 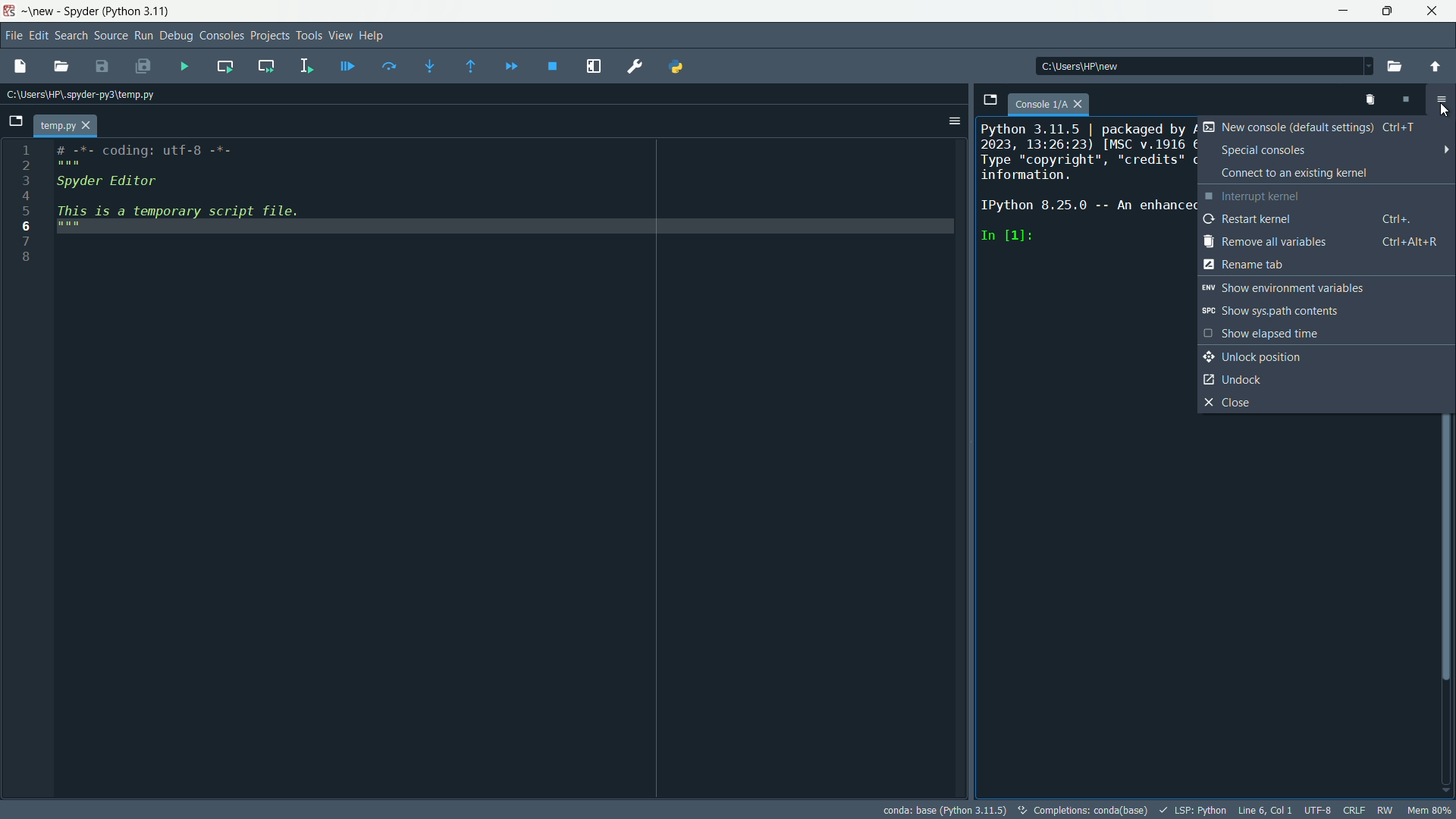 What do you see at coordinates (1327, 265) in the screenshot?
I see `Rename tab` at bounding box center [1327, 265].